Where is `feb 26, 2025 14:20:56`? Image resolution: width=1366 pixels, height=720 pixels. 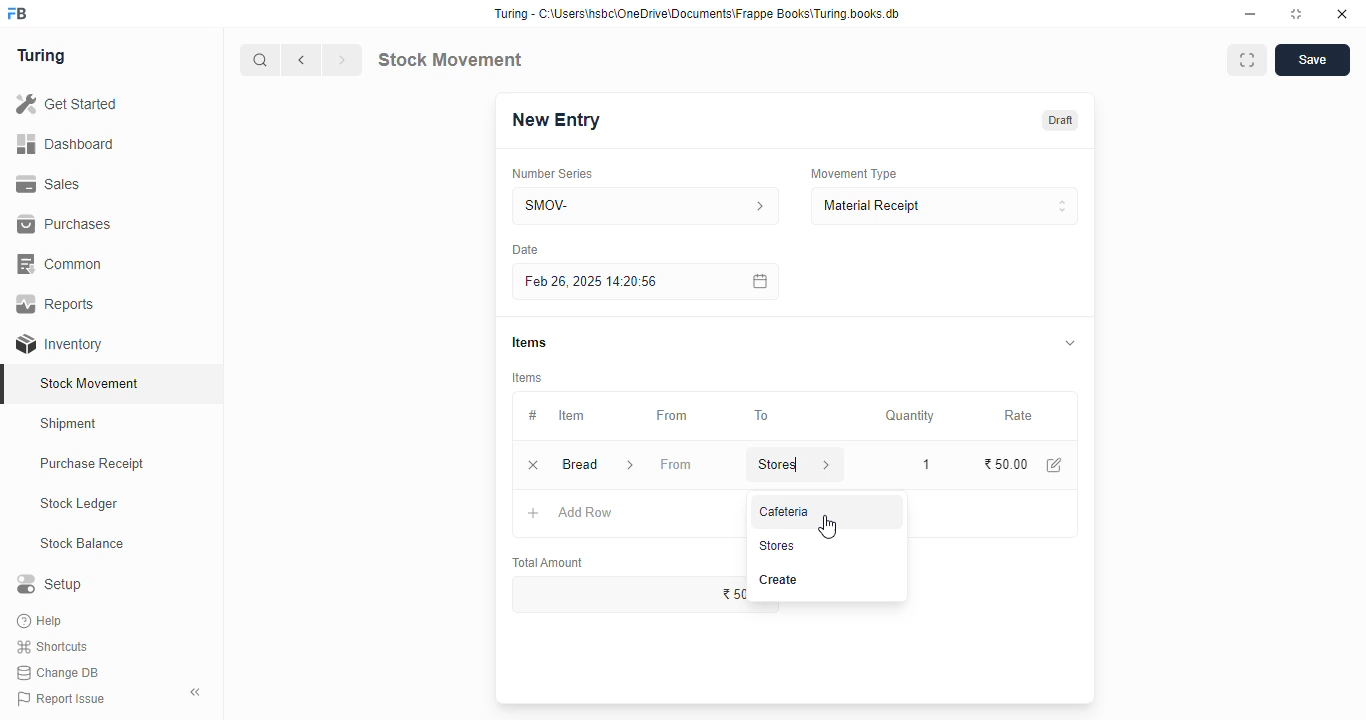 feb 26, 2025 14:20:56 is located at coordinates (595, 282).